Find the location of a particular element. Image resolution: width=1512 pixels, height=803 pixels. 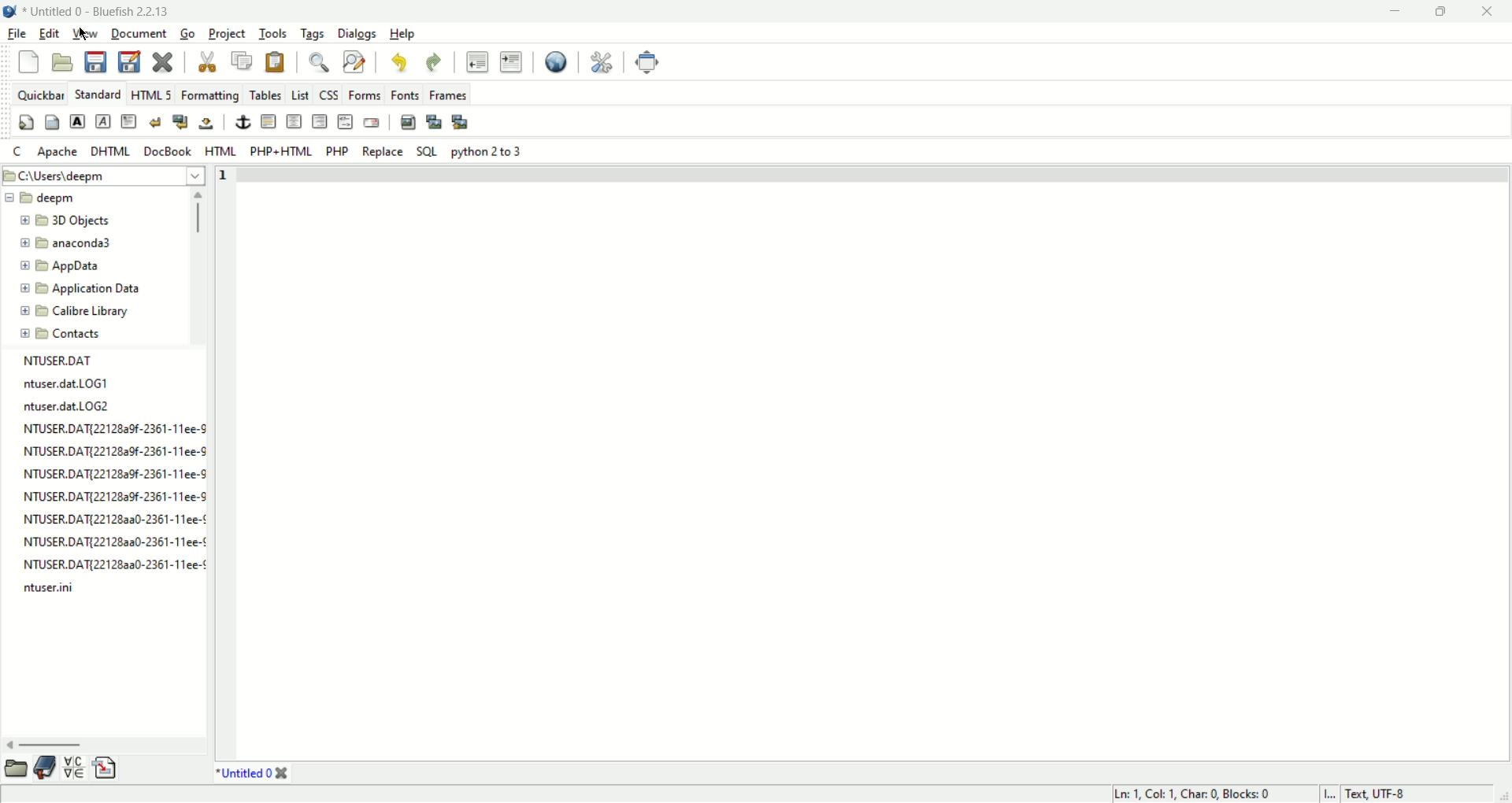

copy is located at coordinates (238, 60).